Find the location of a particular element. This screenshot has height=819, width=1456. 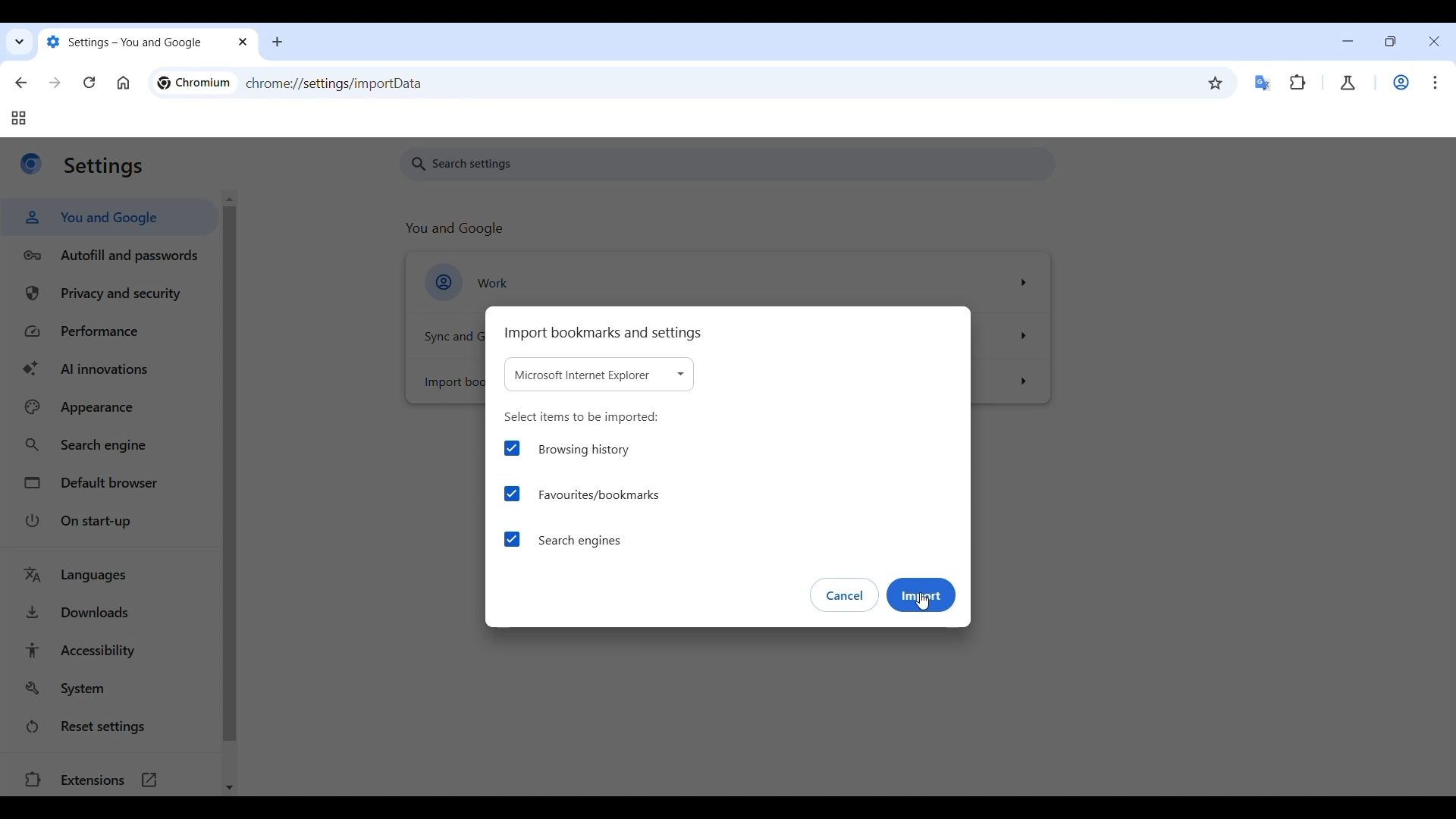

Autofill and passwords is located at coordinates (111, 256).